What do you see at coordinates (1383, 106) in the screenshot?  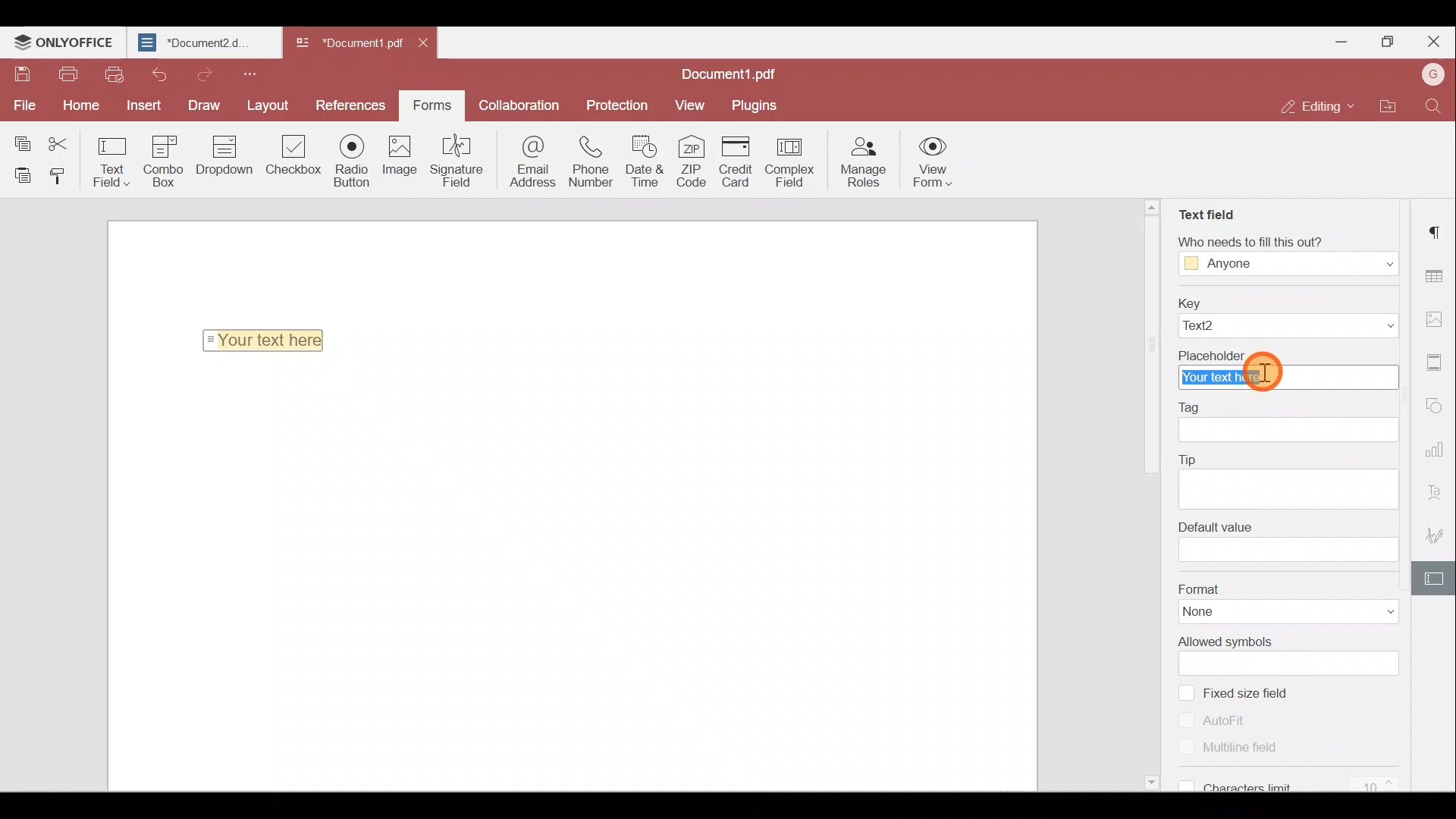 I see `Open file location` at bounding box center [1383, 106].